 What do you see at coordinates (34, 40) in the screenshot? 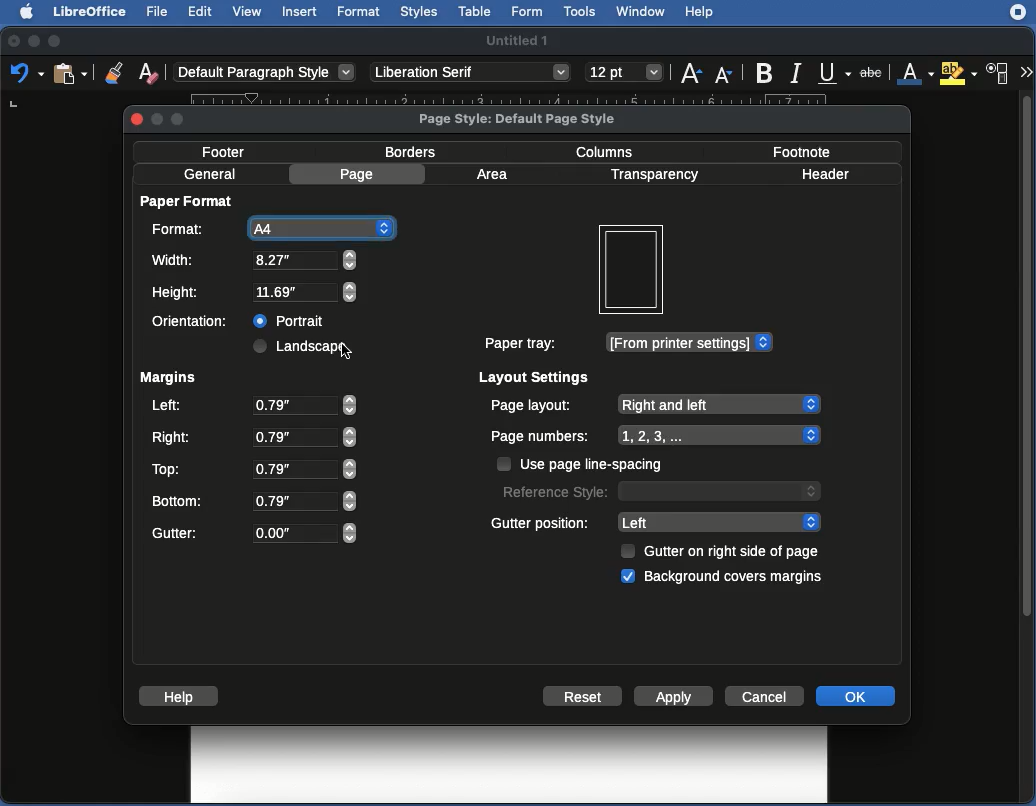
I see `Minimize` at bounding box center [34, 40].